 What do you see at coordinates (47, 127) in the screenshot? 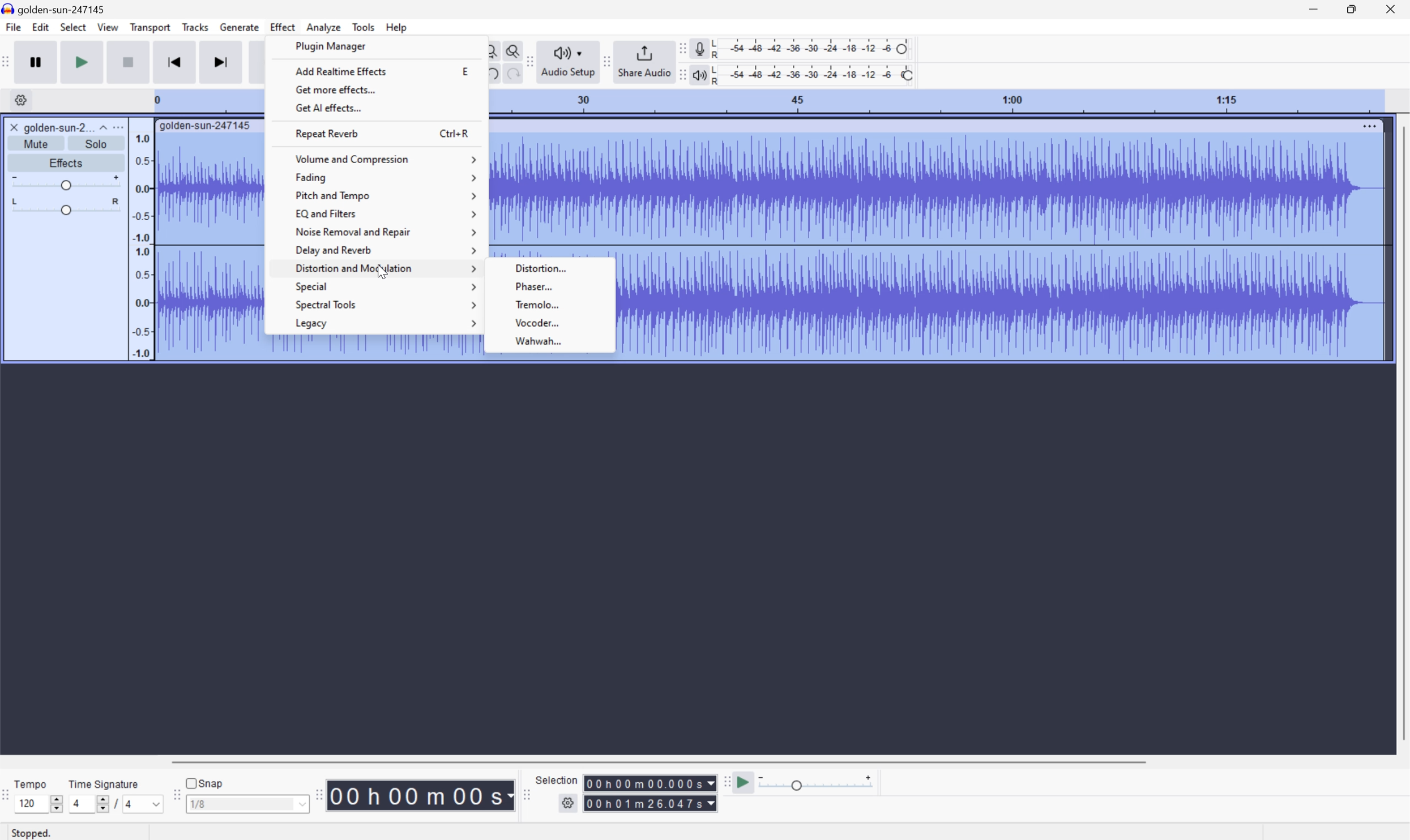
I see `golden-sun` at bounding box center [47, 127].